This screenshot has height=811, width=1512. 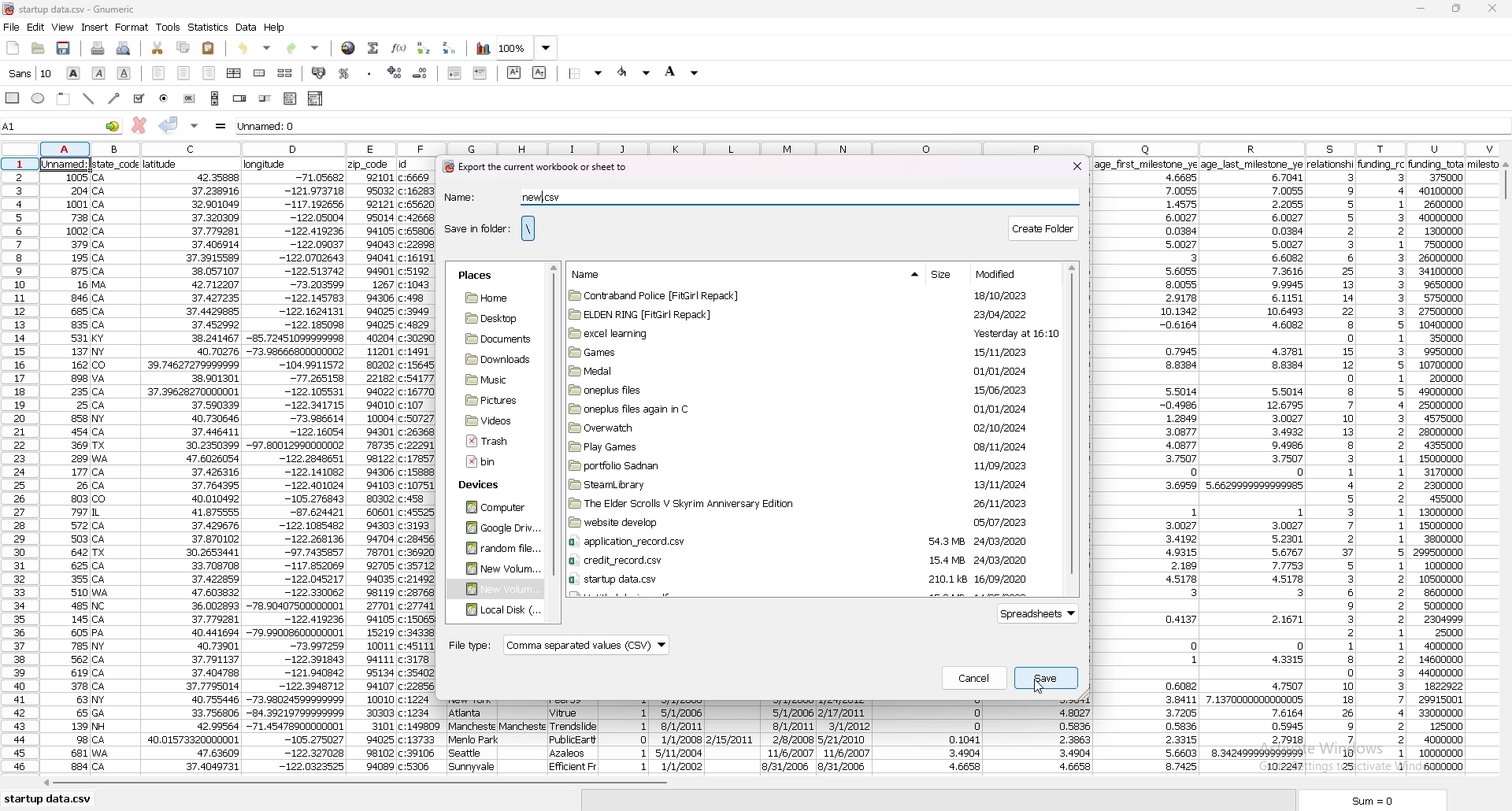 I want to click on zoom, so click(x=528, y=49).